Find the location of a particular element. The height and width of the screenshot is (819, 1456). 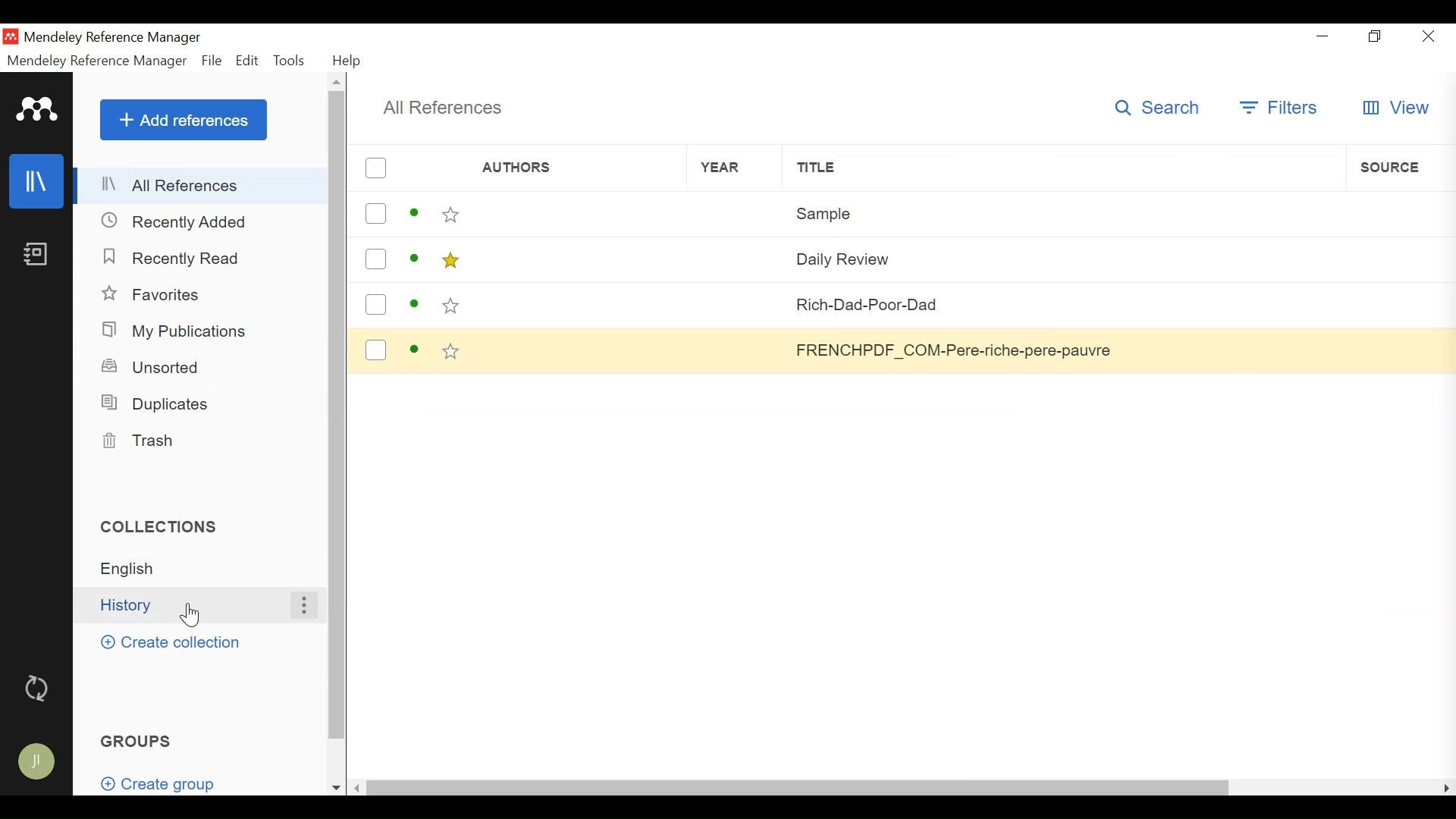

Add References is located at coordinates (184, 119).